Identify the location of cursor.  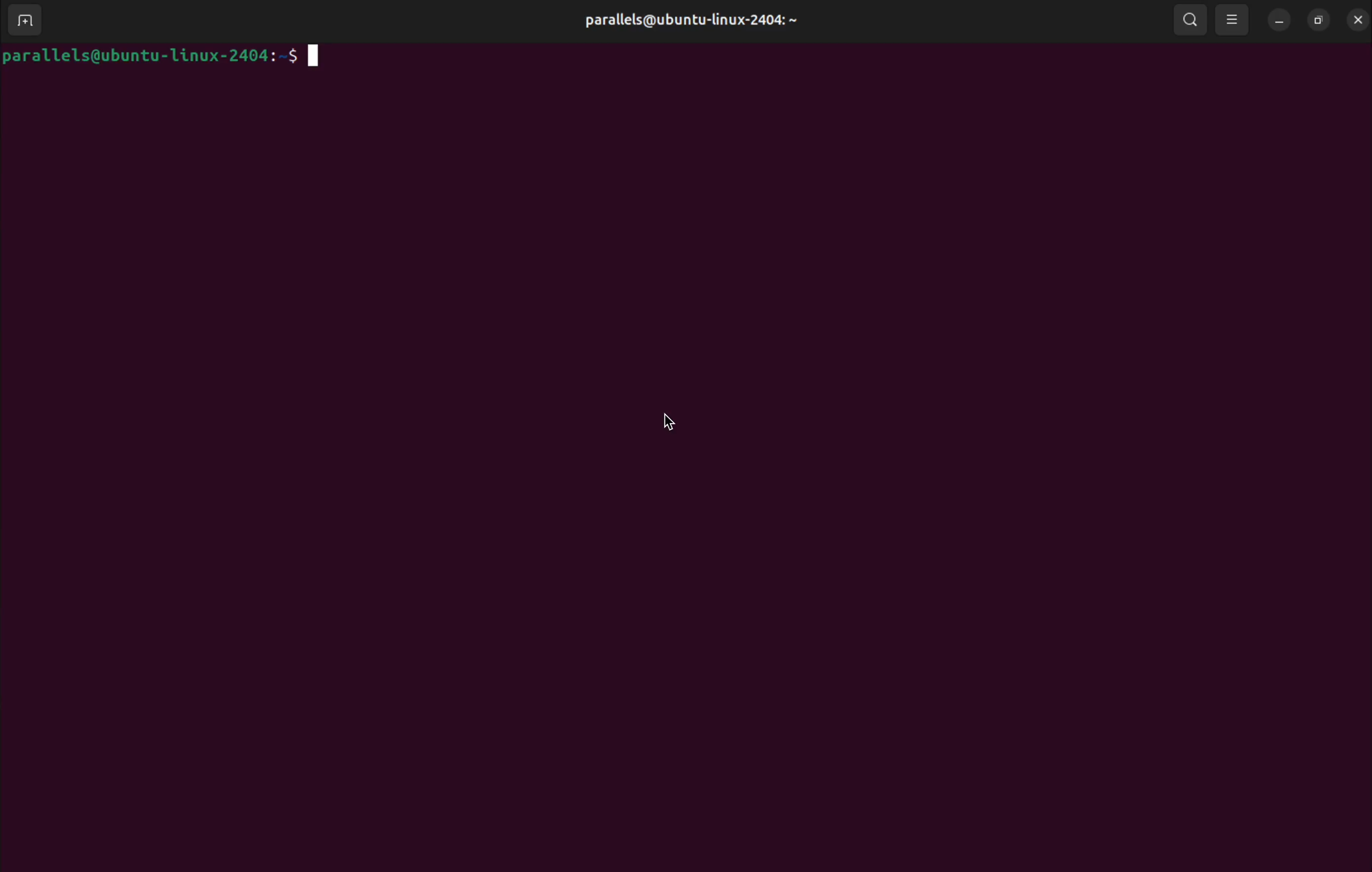
(674, 423).